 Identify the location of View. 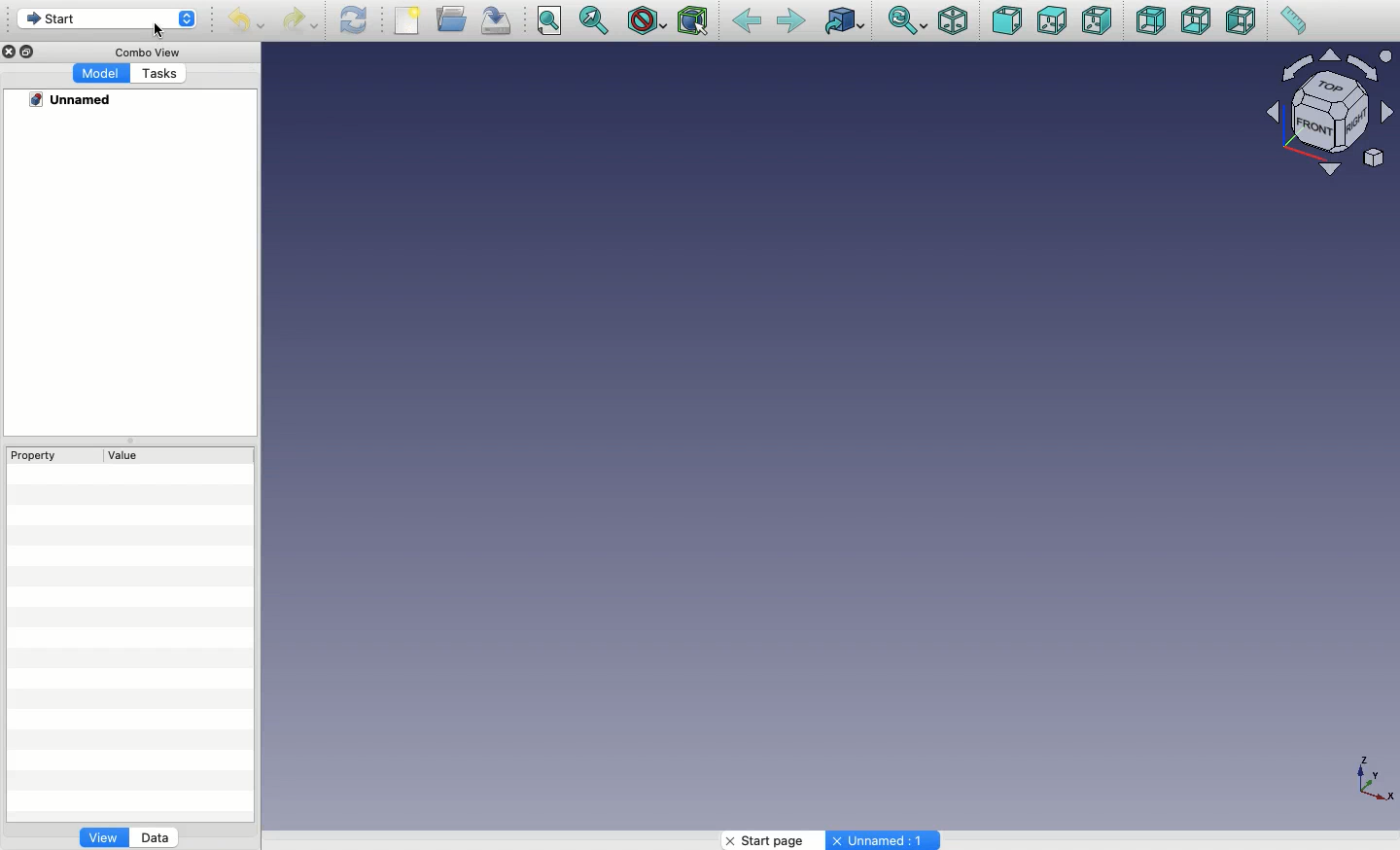
(103, 840).